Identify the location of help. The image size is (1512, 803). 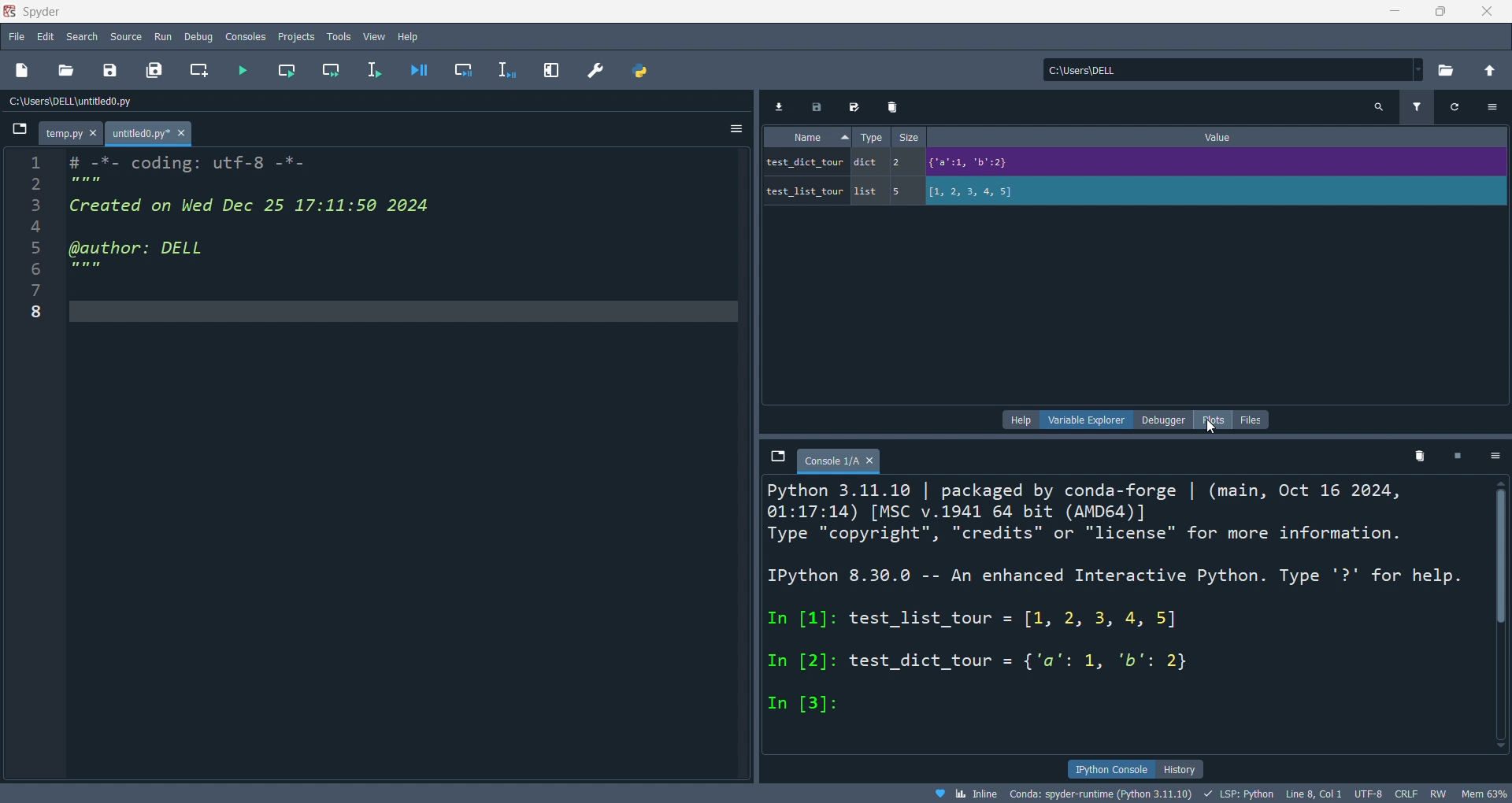
(1022, 420).